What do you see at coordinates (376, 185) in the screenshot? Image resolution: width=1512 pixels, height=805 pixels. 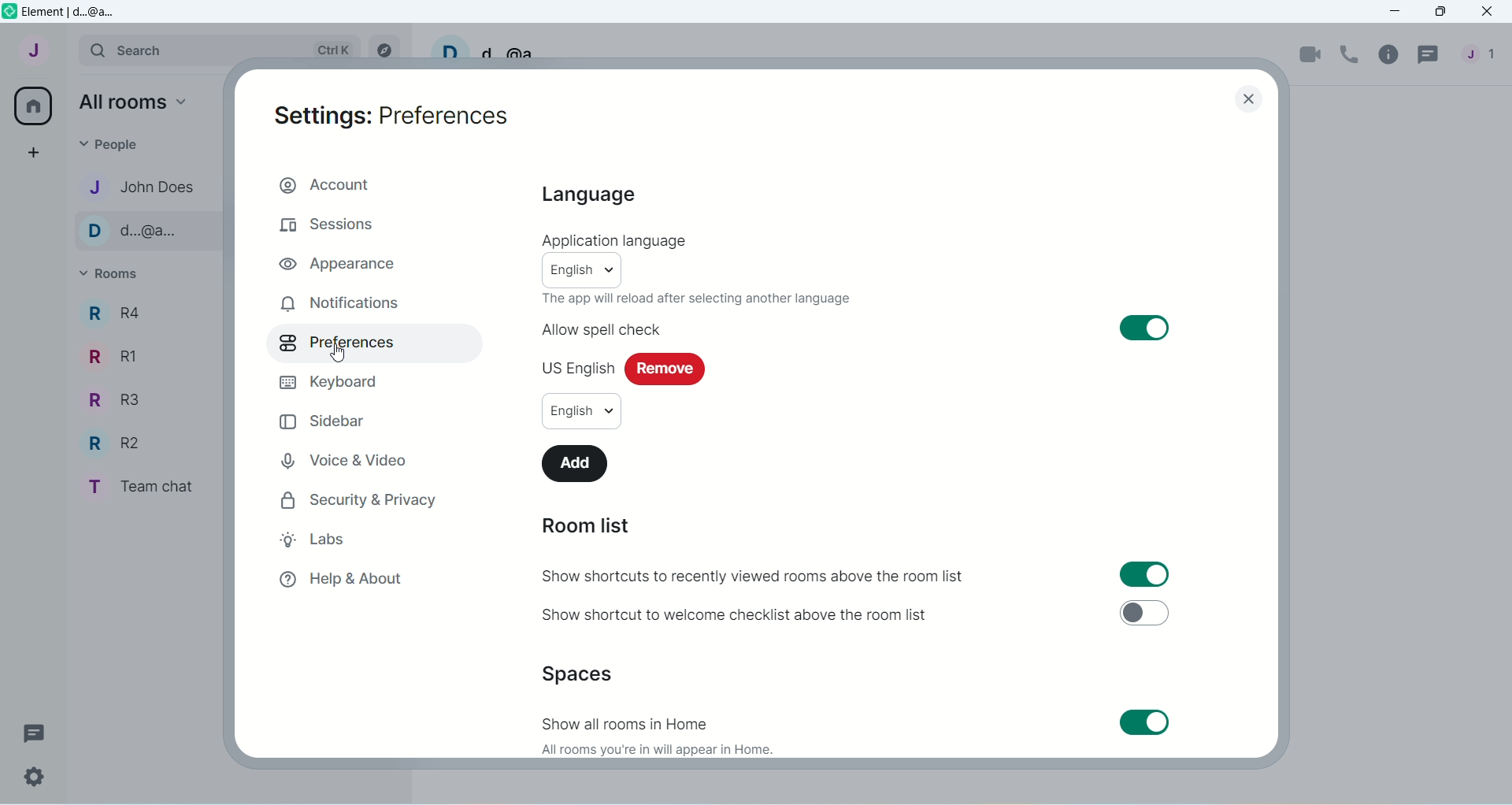 I see `Account` at bounding box center [376, 185].